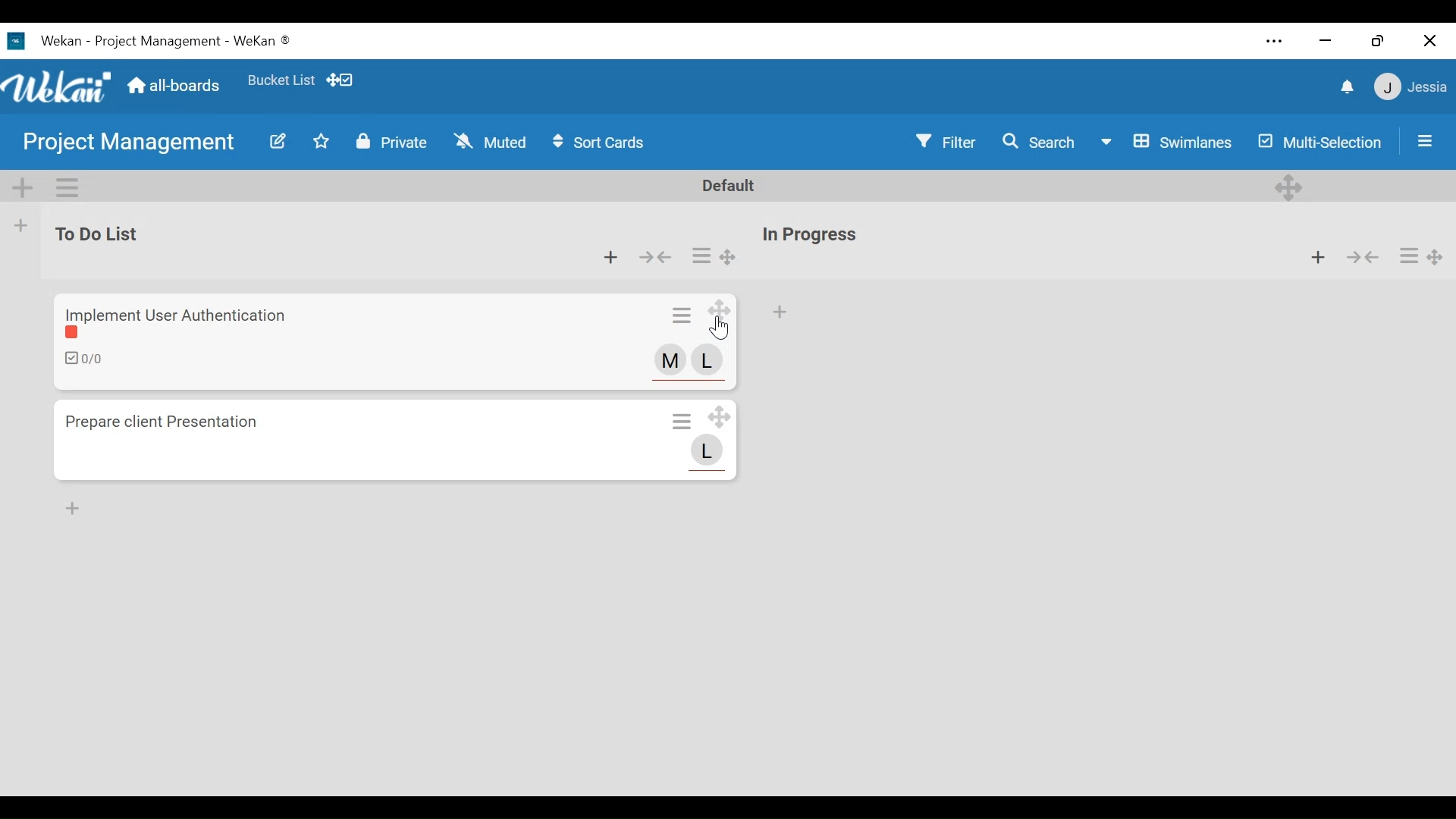 This screenshot has height=819, width=1456. I want to click on minimize, so click(1326, 40).